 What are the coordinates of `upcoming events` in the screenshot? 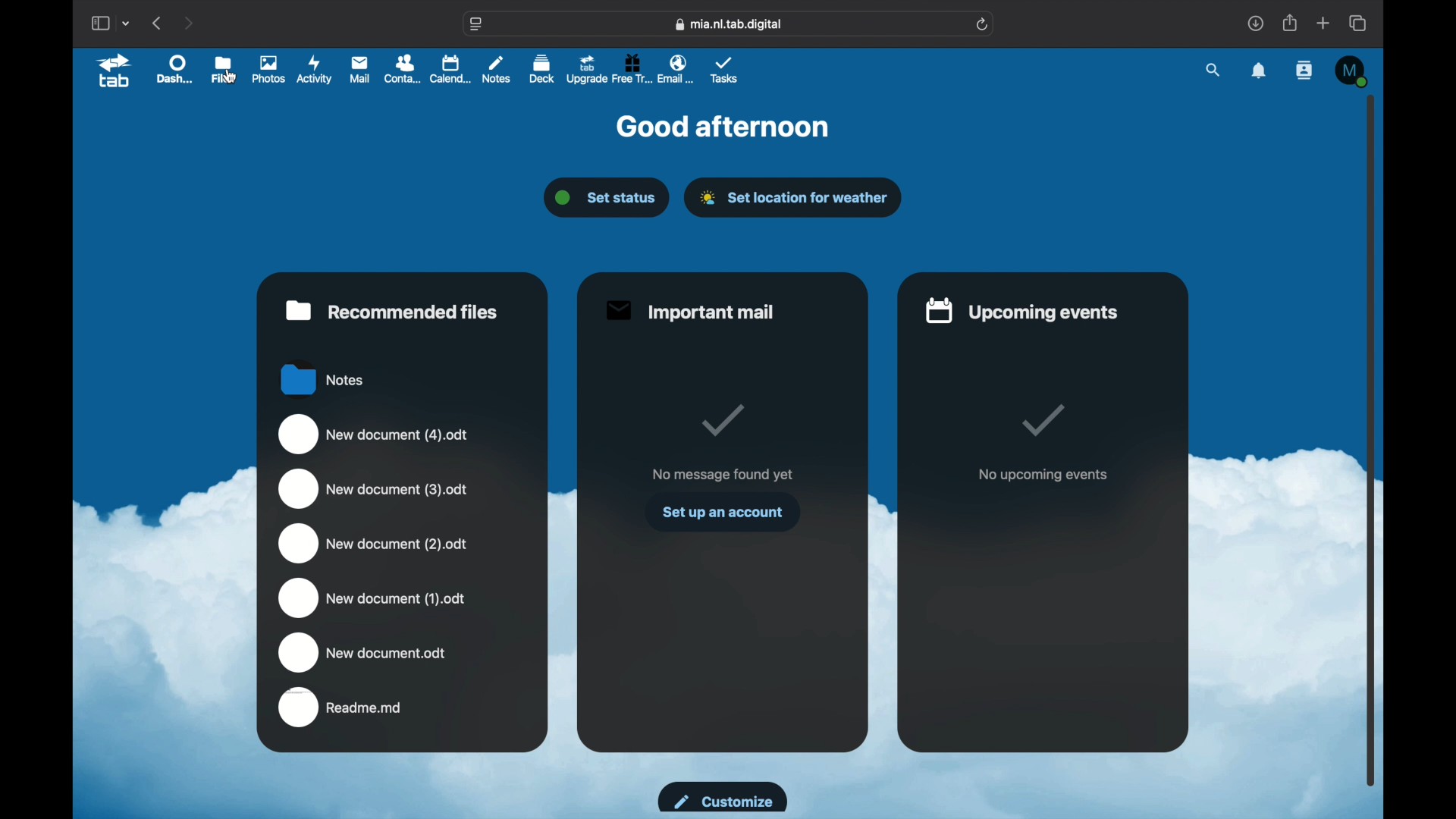 It's located at (1022, 312).